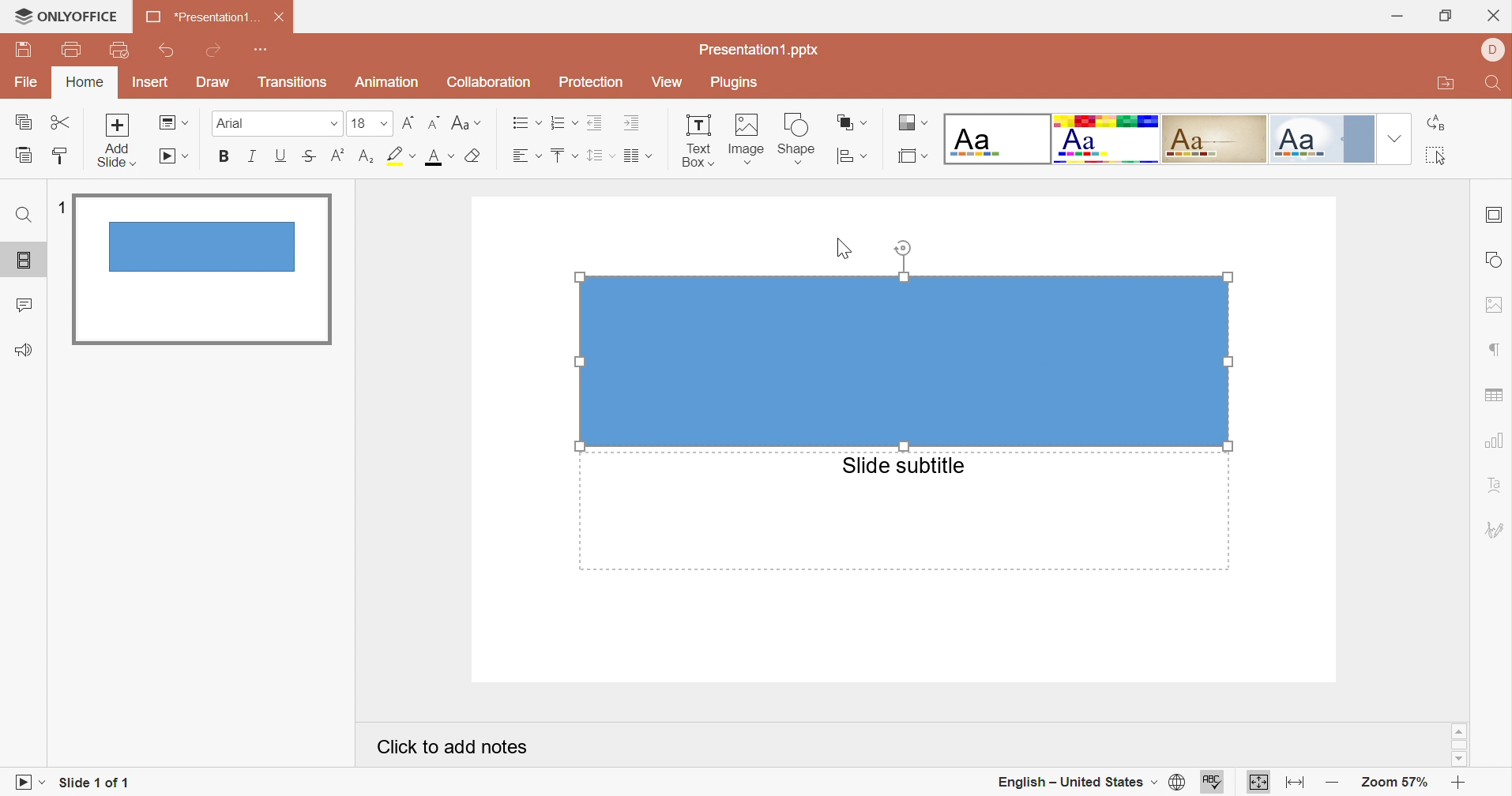  I want to click on Change slide size, so click(912, 156).